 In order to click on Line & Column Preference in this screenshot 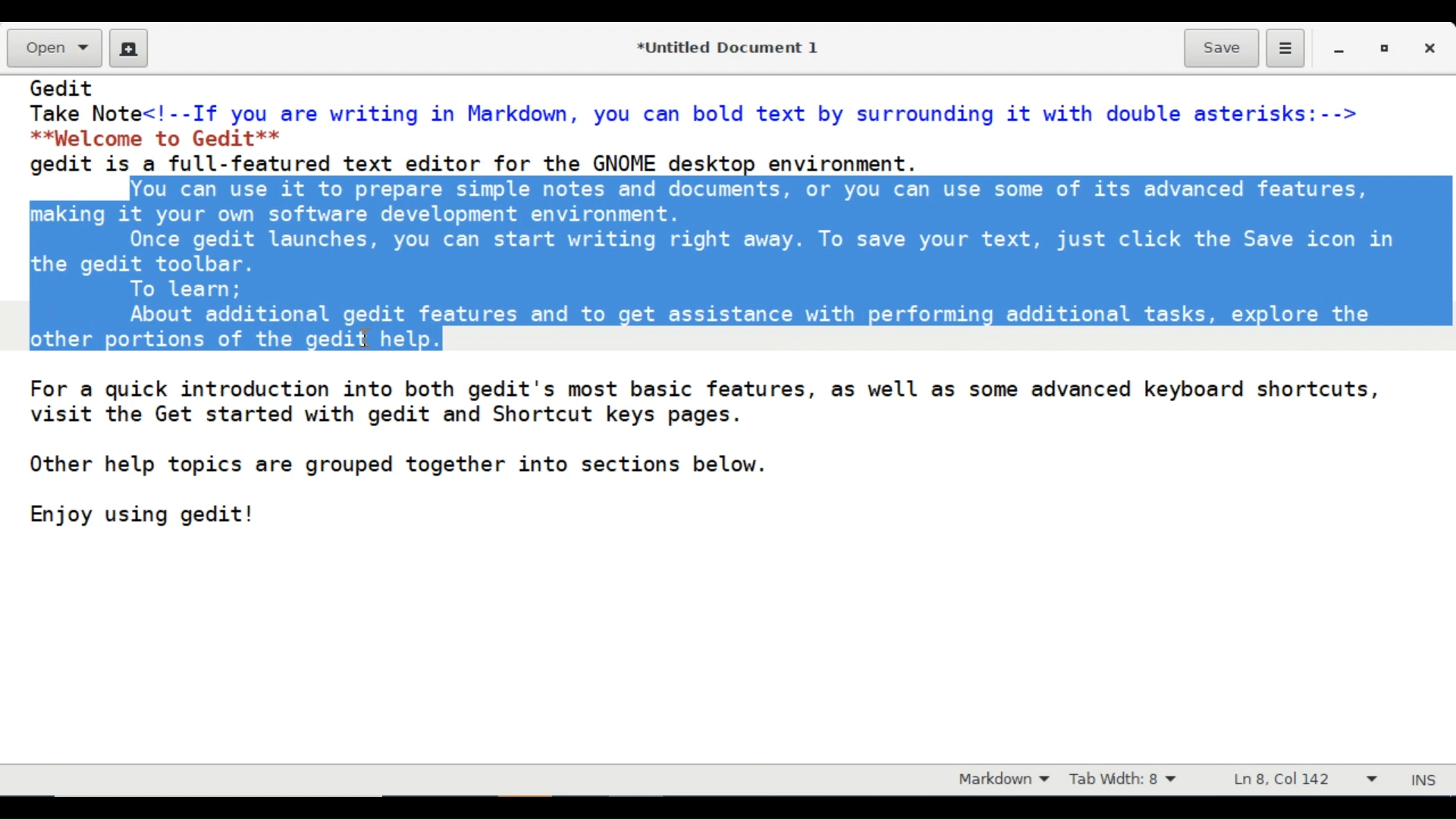, I will do `click(1305, 783)`.